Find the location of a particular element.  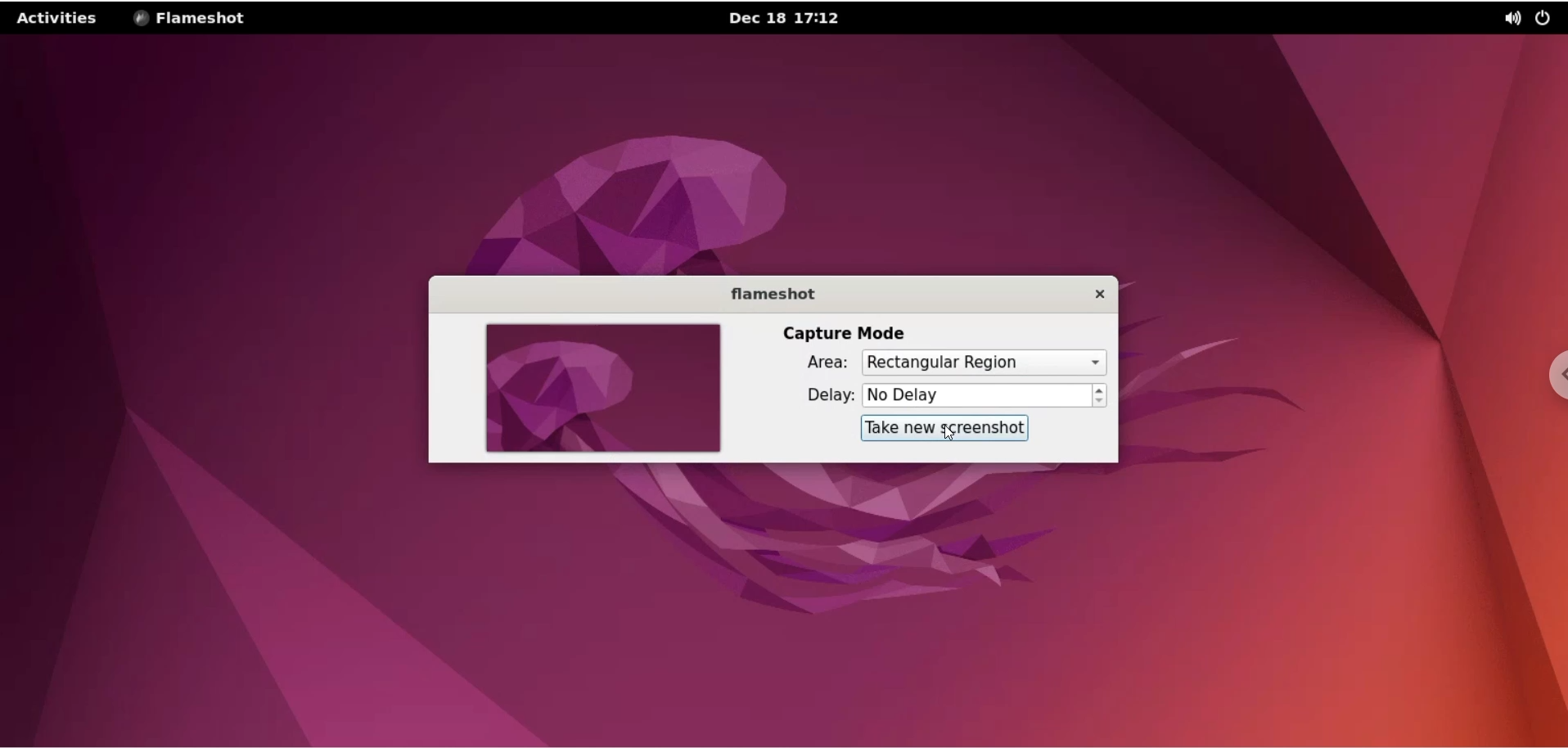

flameshot is located at coordinates (197, 19).